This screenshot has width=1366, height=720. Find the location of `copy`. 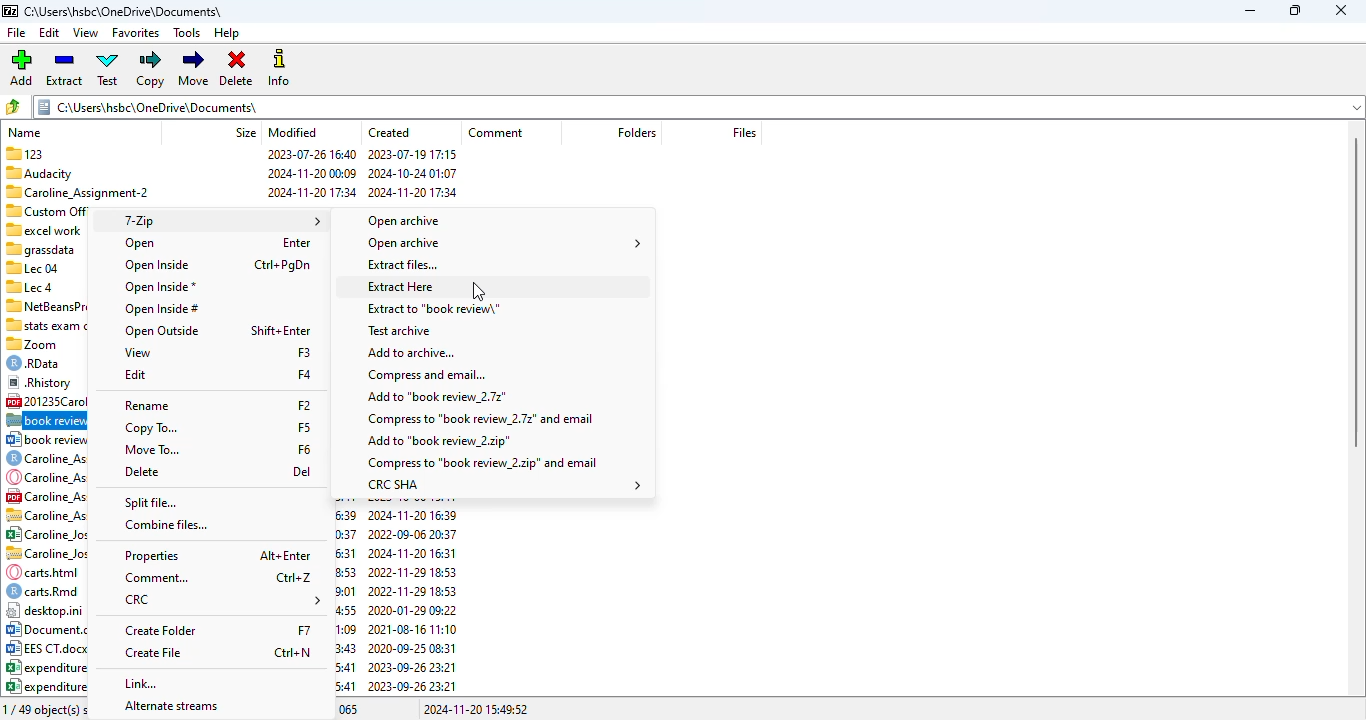

copy is located at coordinates (149, 69).